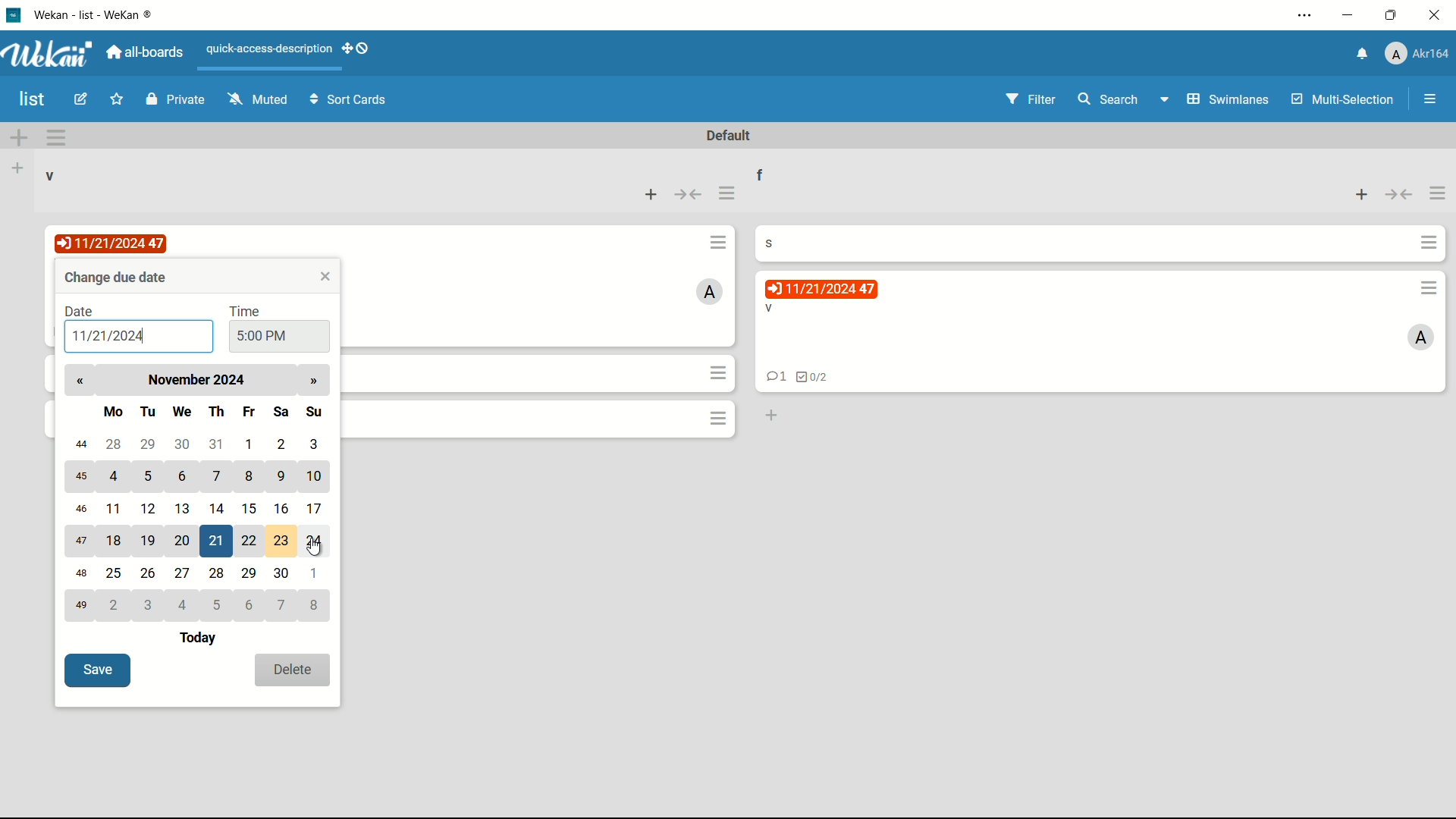  I want to click on card  name, so click(768, 309).